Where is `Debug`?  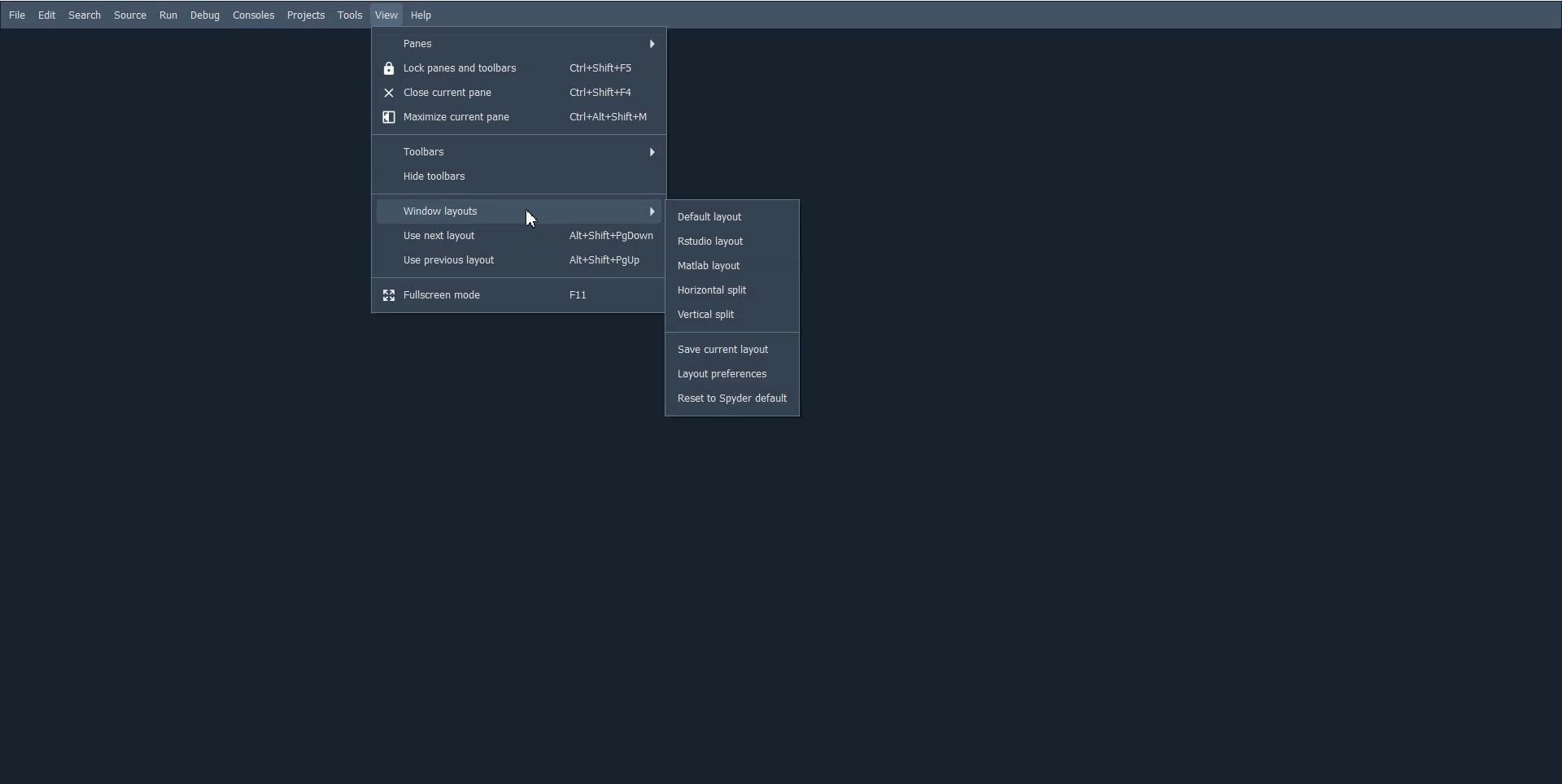
Debug is located at coordinates (205, 15).